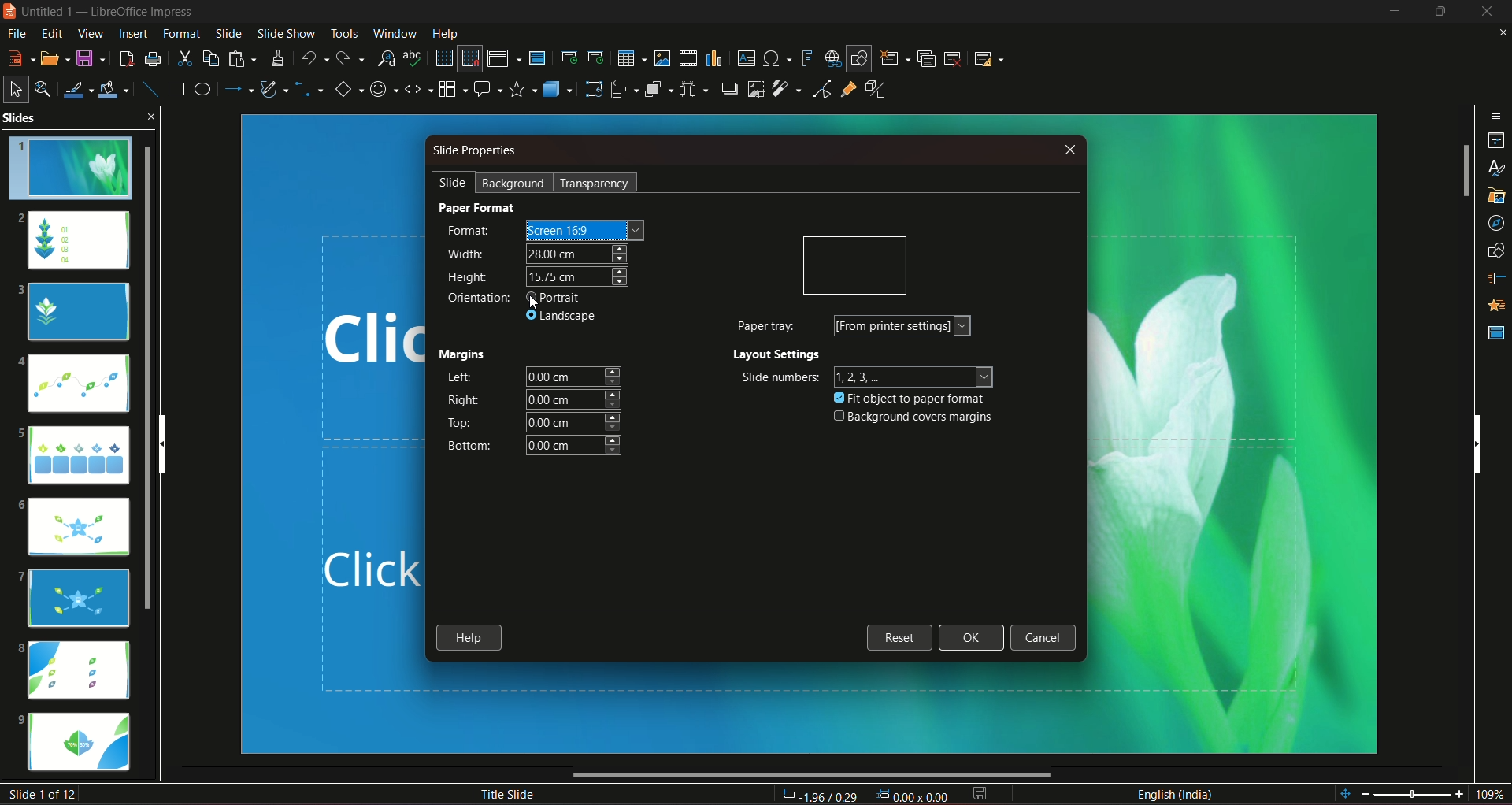 The height and width of the screenshot is (805, 1512). Describe the element at coordinates (73, 453) in the screenshot. I see `slide 5` at that location.